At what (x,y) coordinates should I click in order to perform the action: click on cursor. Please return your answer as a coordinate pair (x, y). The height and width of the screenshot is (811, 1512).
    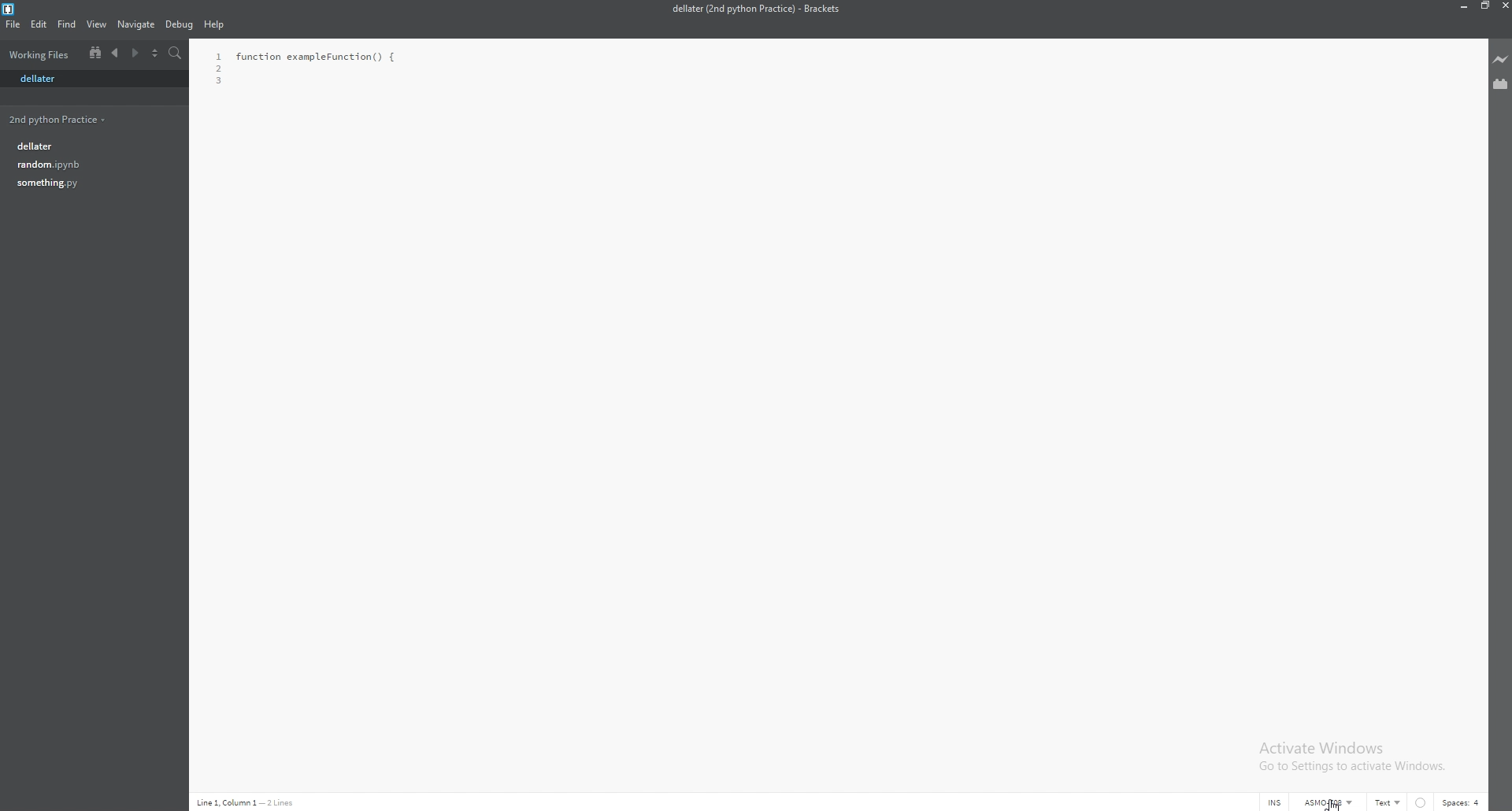
    Looking at the image, I should click on (1332, 805).